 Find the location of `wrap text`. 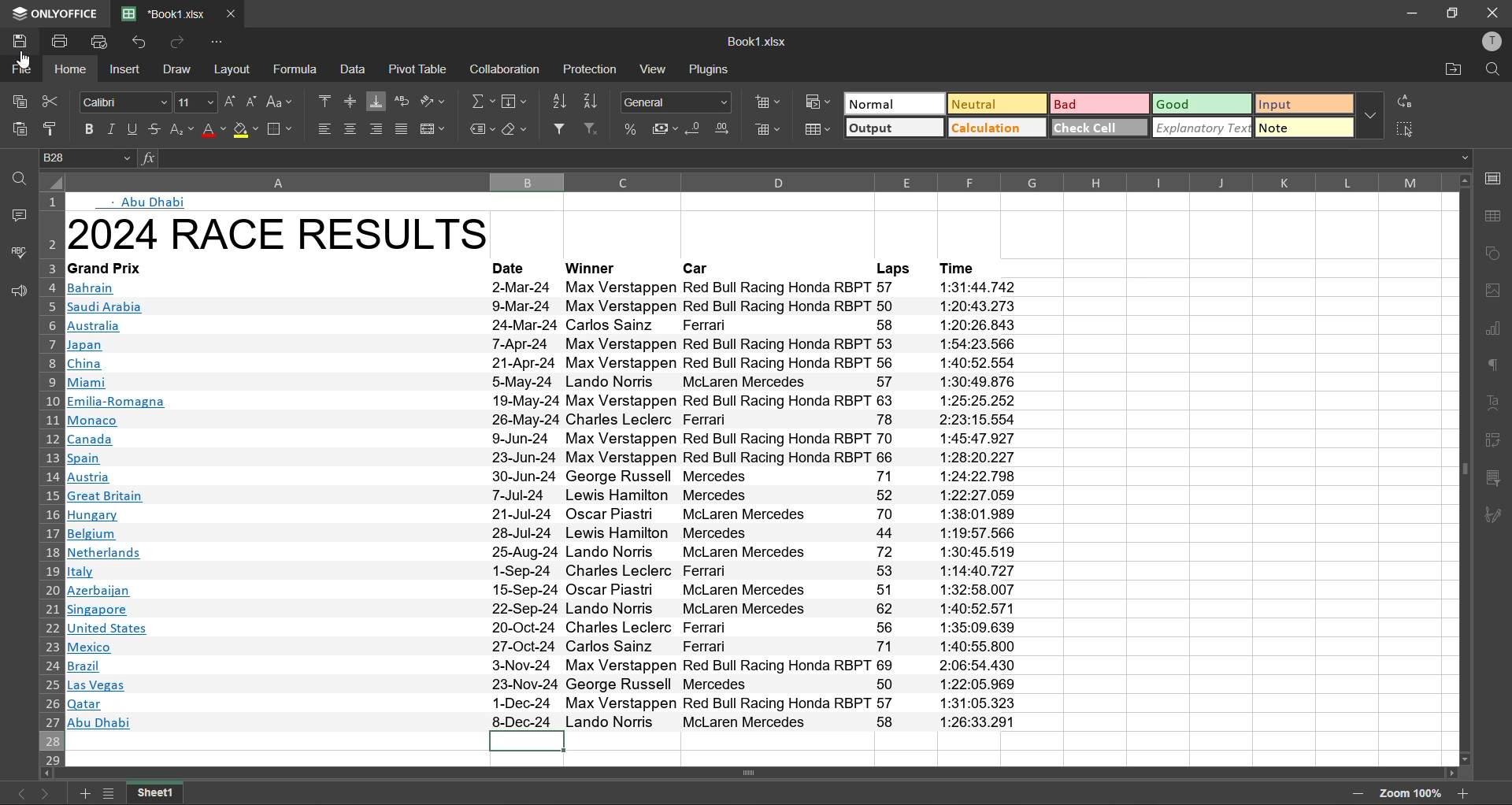

wrap text is located at coordinates (402, 101).